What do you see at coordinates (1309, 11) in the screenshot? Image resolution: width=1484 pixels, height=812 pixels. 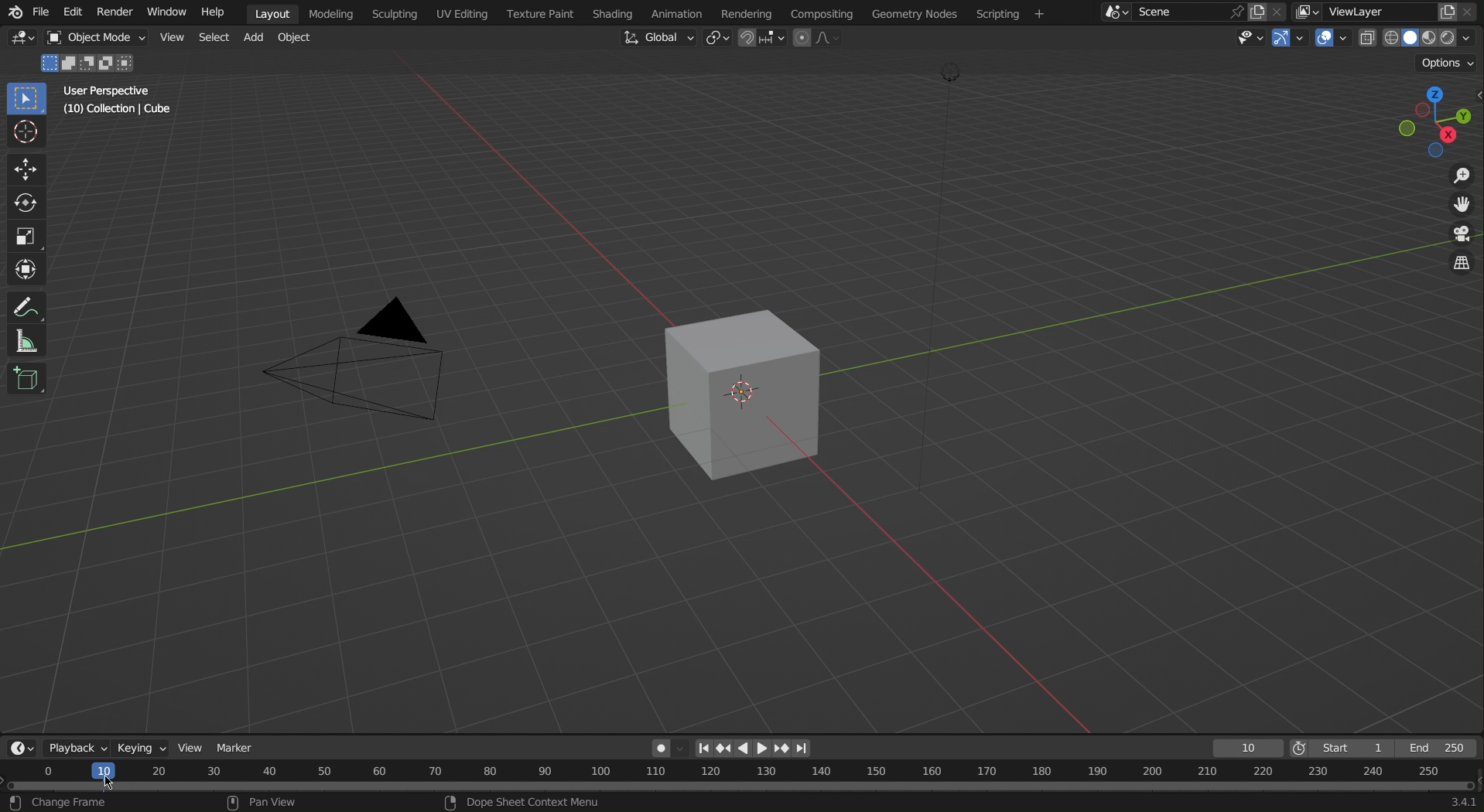 I see `More ViewLayer` at bounding box center [1309, 11].